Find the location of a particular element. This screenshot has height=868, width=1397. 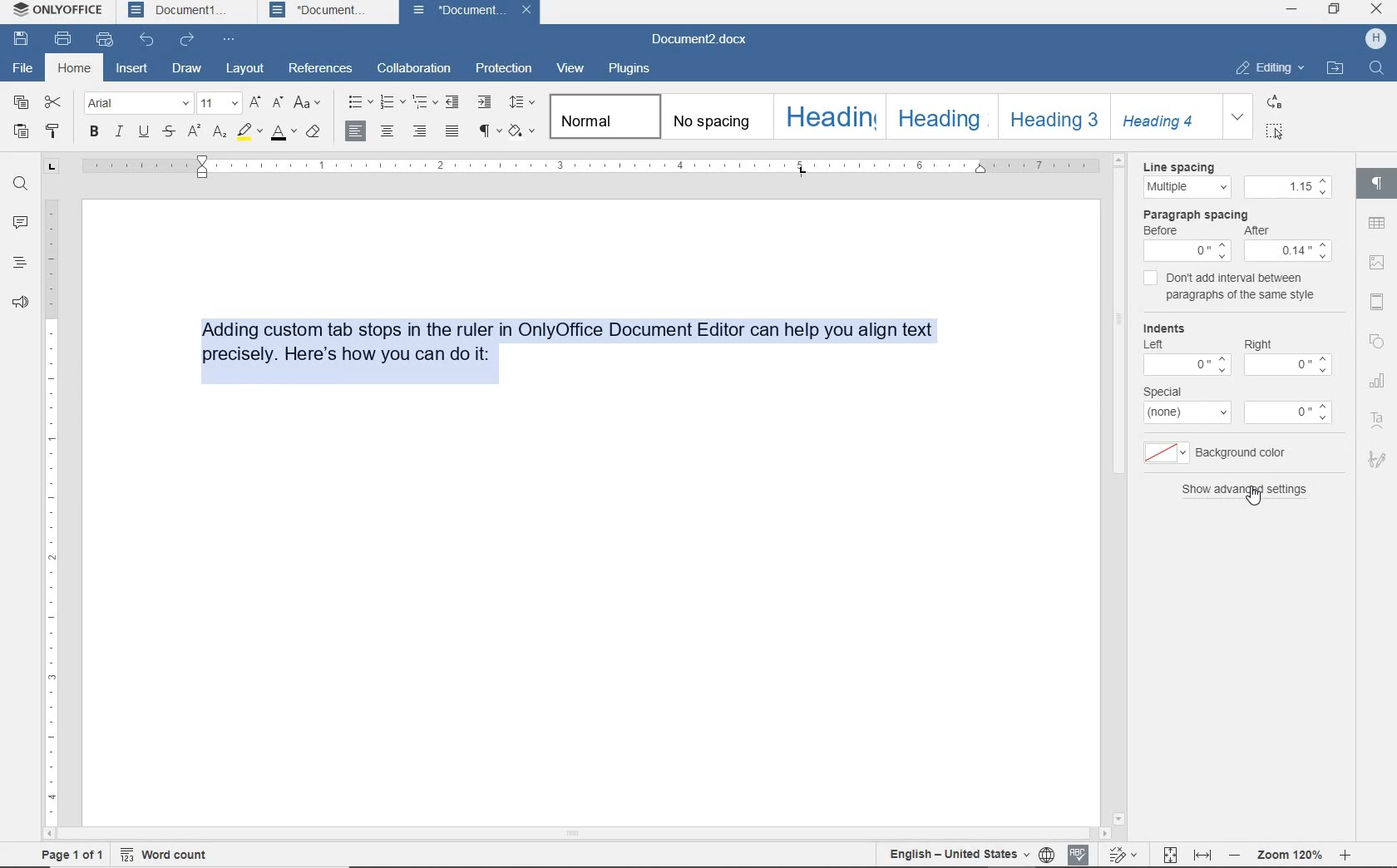

minimize is located at coordinates (1291, 8).